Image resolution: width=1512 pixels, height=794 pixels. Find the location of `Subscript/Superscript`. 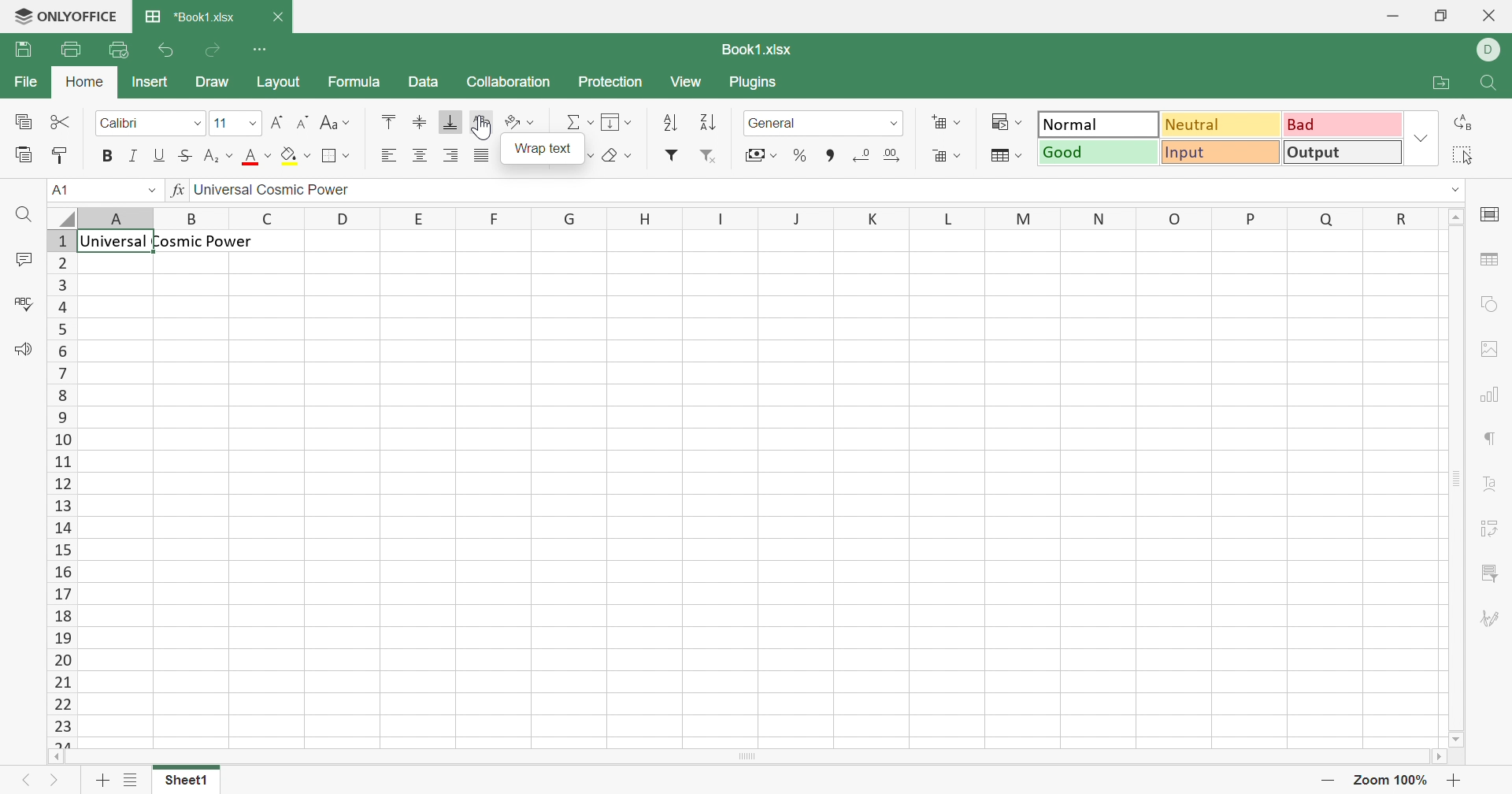

Subscript/Superscript is located at coordinates (218, 156).